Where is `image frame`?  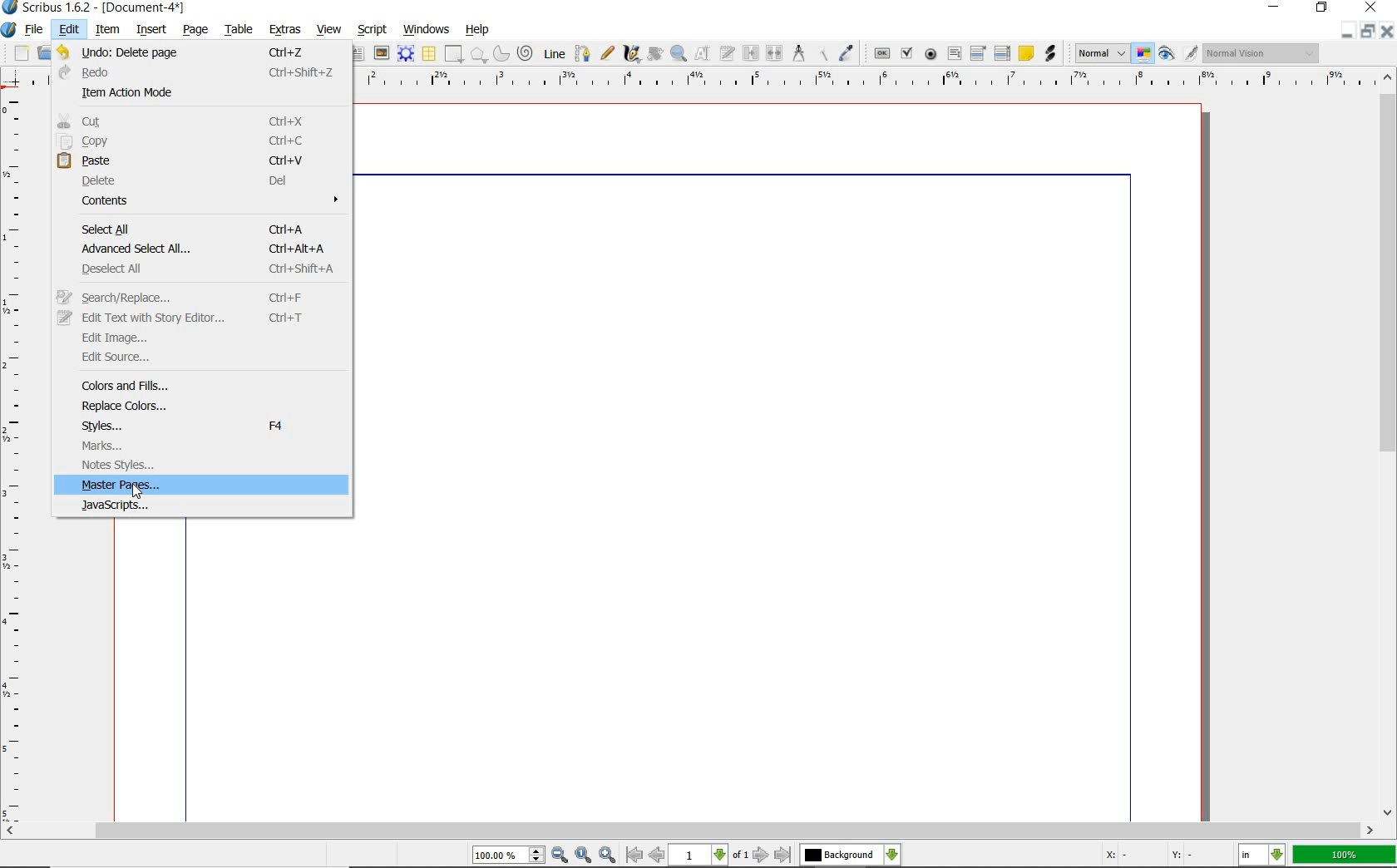
image frame is located at coordinates (382, 53).